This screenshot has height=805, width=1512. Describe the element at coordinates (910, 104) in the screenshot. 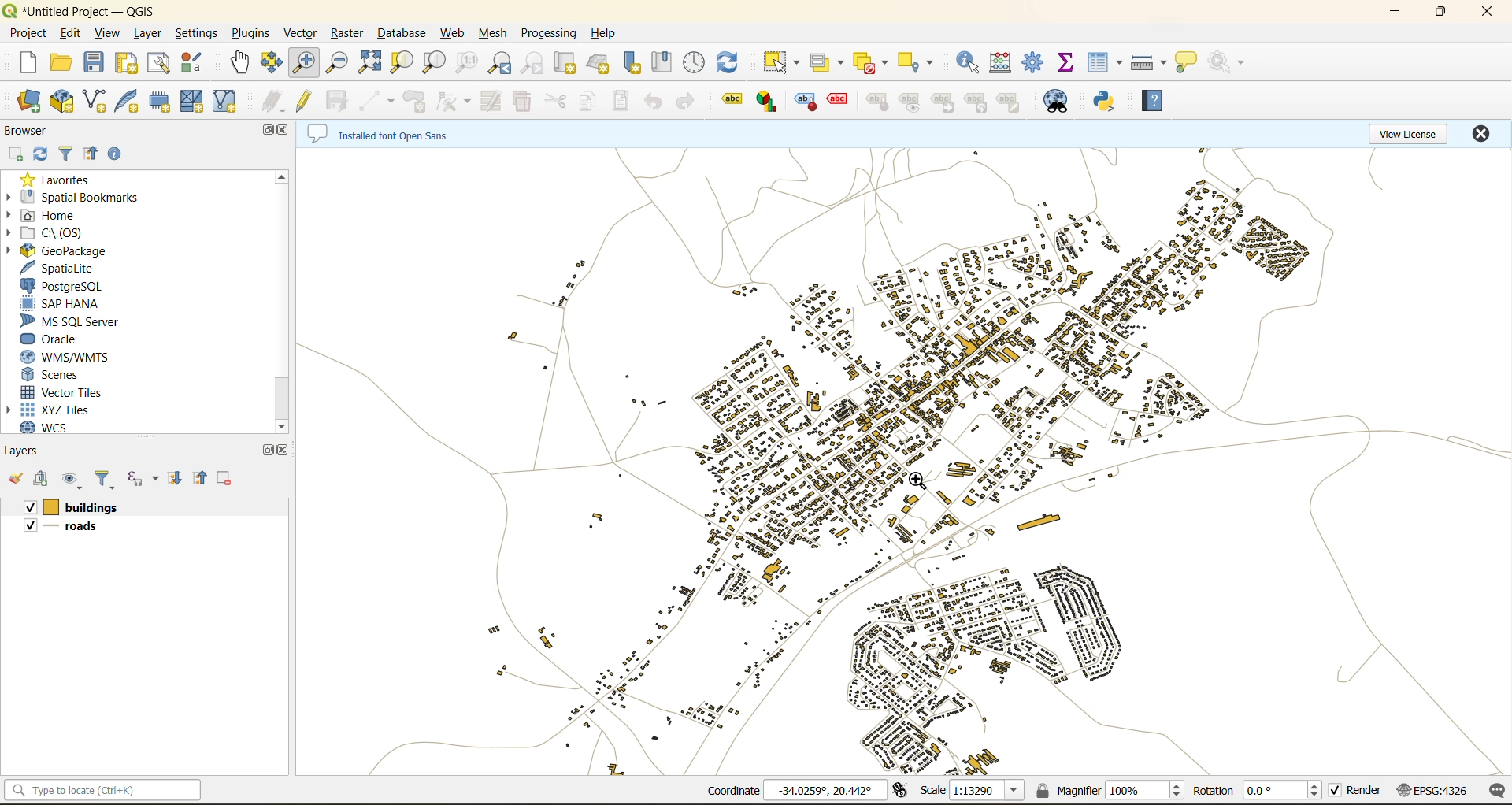

I see `Toggle Label Visibility` at that location.